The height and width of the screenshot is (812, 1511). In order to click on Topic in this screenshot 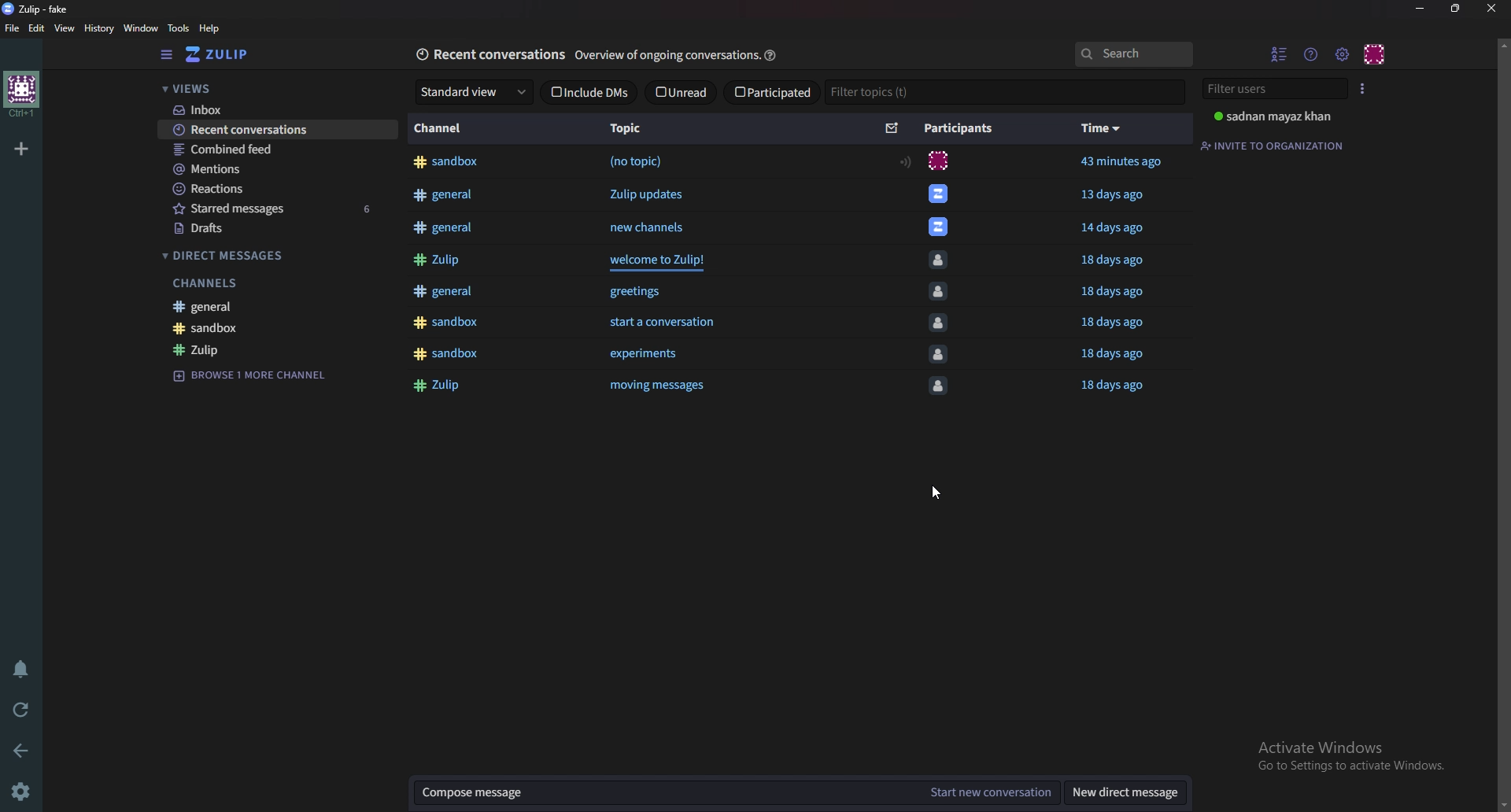, I will do `click(632, 128)`.